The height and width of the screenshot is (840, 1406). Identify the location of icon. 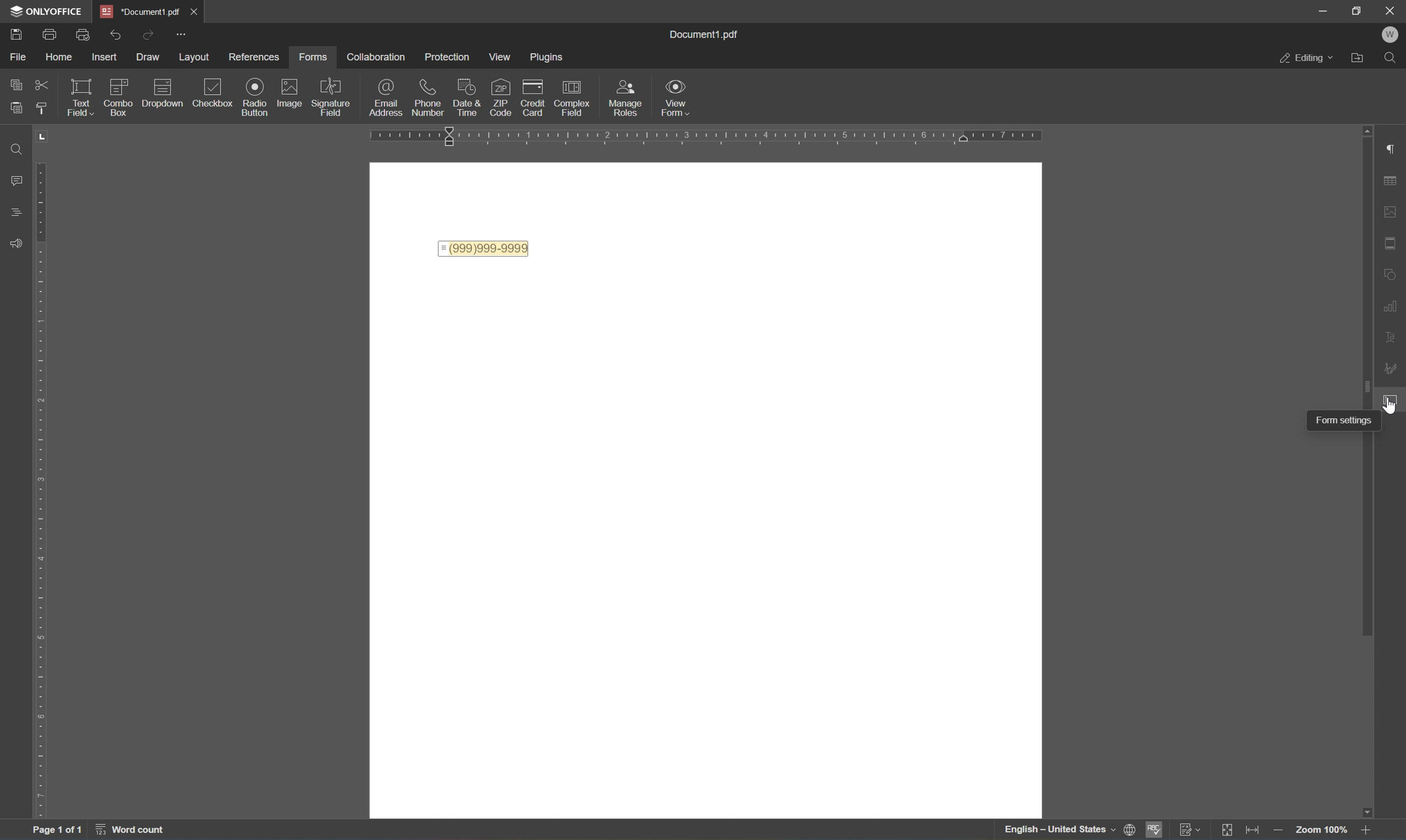
(501, 90).